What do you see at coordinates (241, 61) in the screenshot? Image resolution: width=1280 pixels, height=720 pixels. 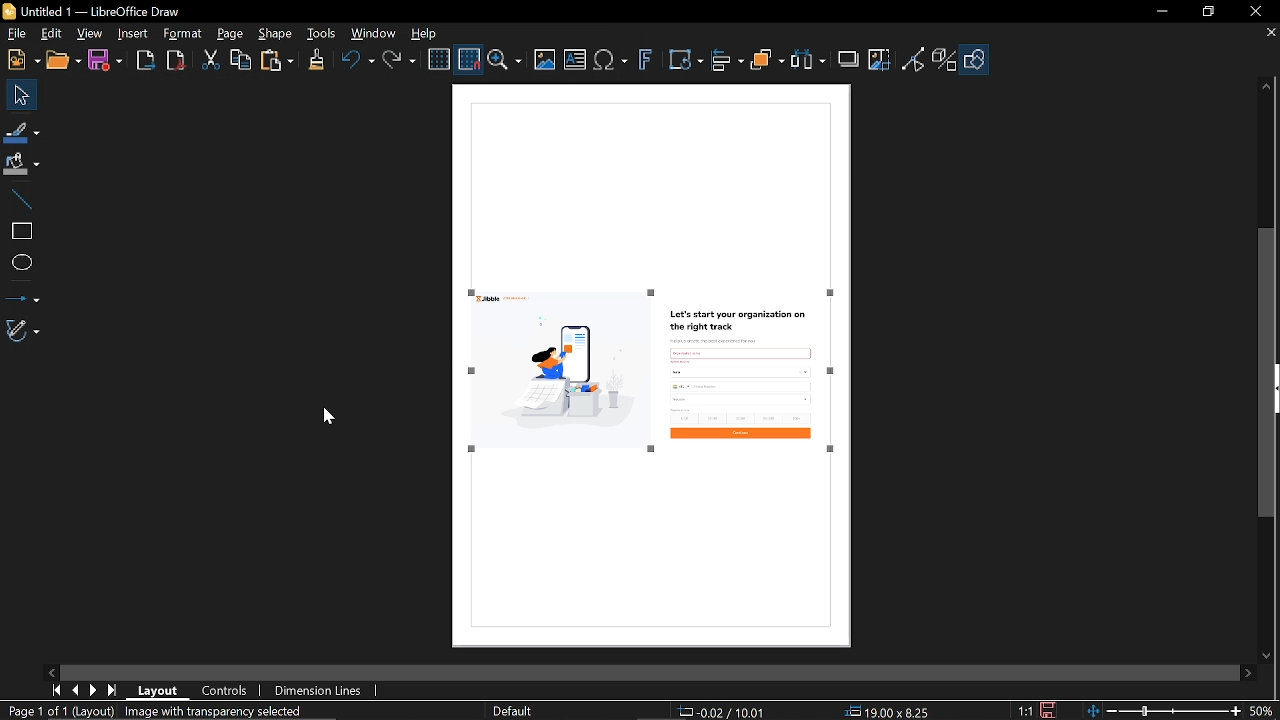 I see `Copy` at bounding box center [241, 61].